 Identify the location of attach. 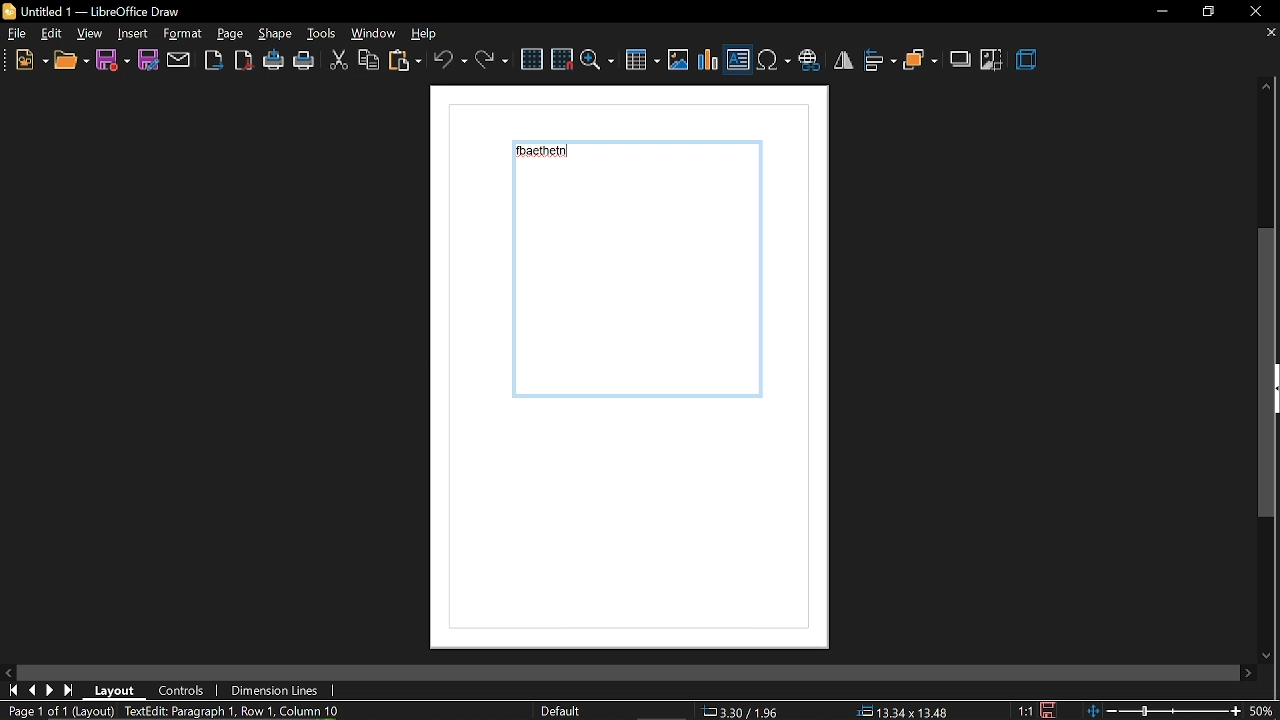
(178, 61).